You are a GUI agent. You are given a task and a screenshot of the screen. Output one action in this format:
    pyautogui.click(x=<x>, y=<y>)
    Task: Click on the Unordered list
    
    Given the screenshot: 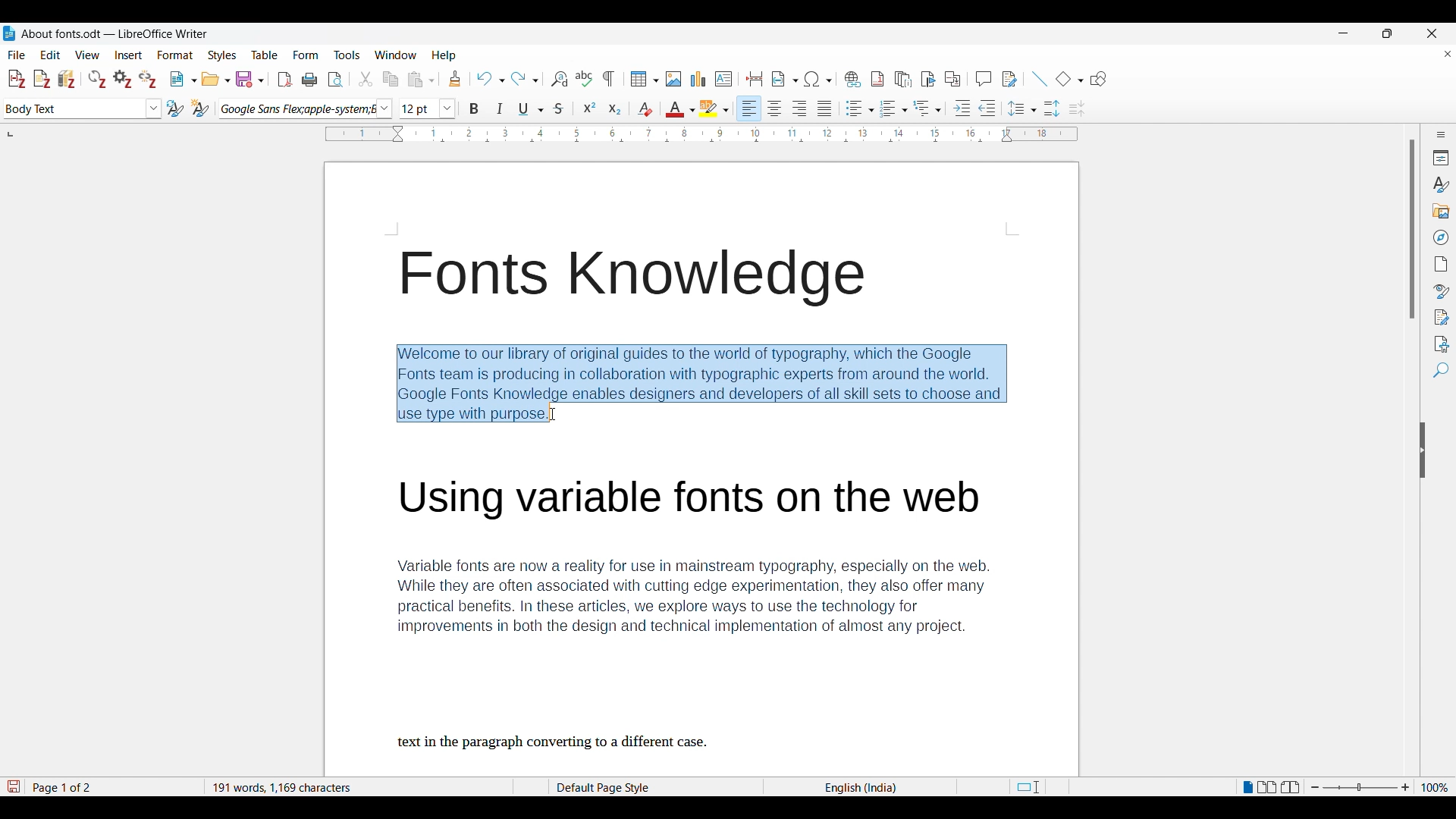 What is the action you would take?
    pyautogui.click(x=859, y=108)
    